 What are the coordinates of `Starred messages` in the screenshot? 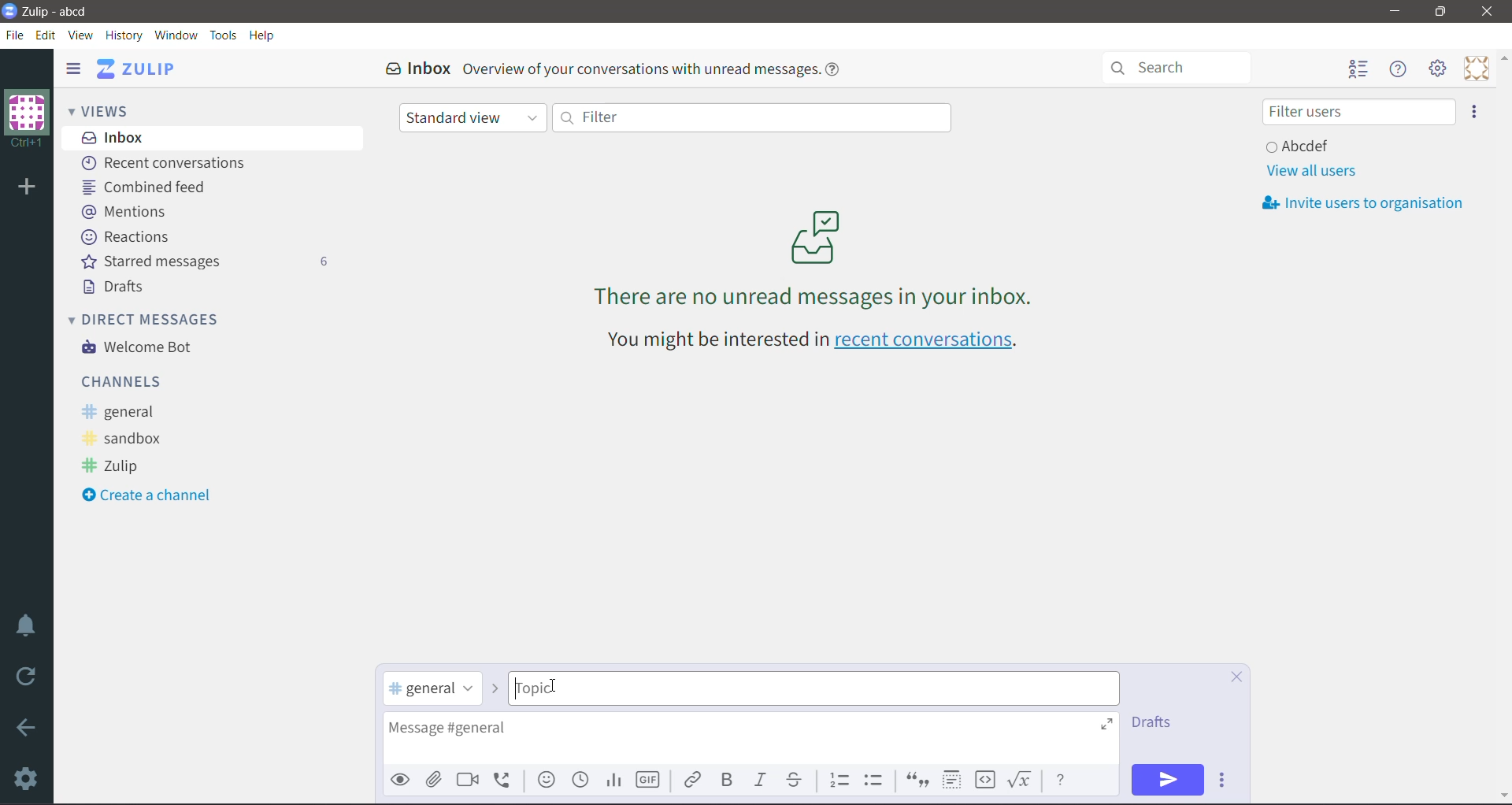 It's located at (204, 261).